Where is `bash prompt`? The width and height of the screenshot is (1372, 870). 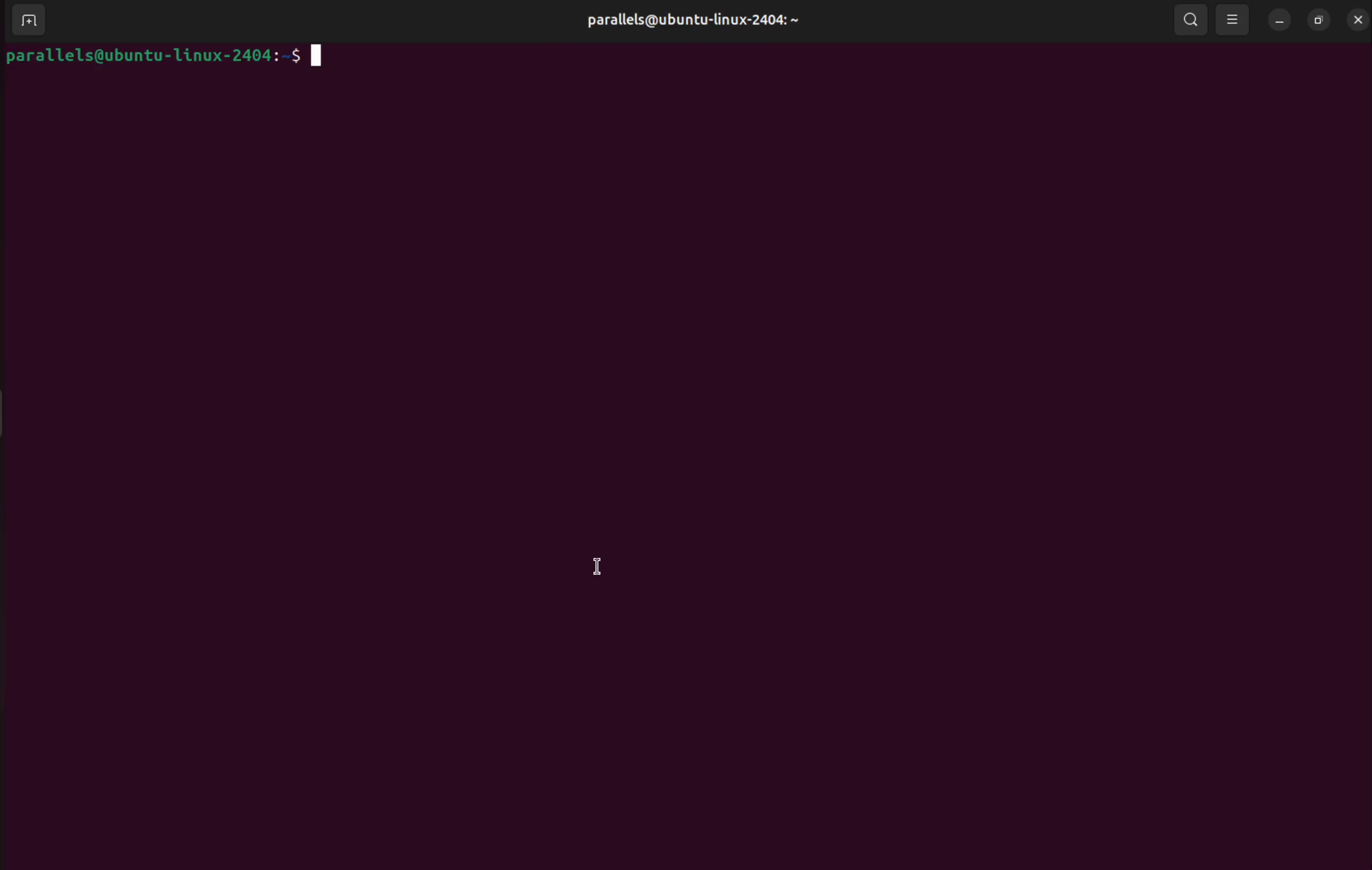
bash prompt is located at coordinates (159, 56).